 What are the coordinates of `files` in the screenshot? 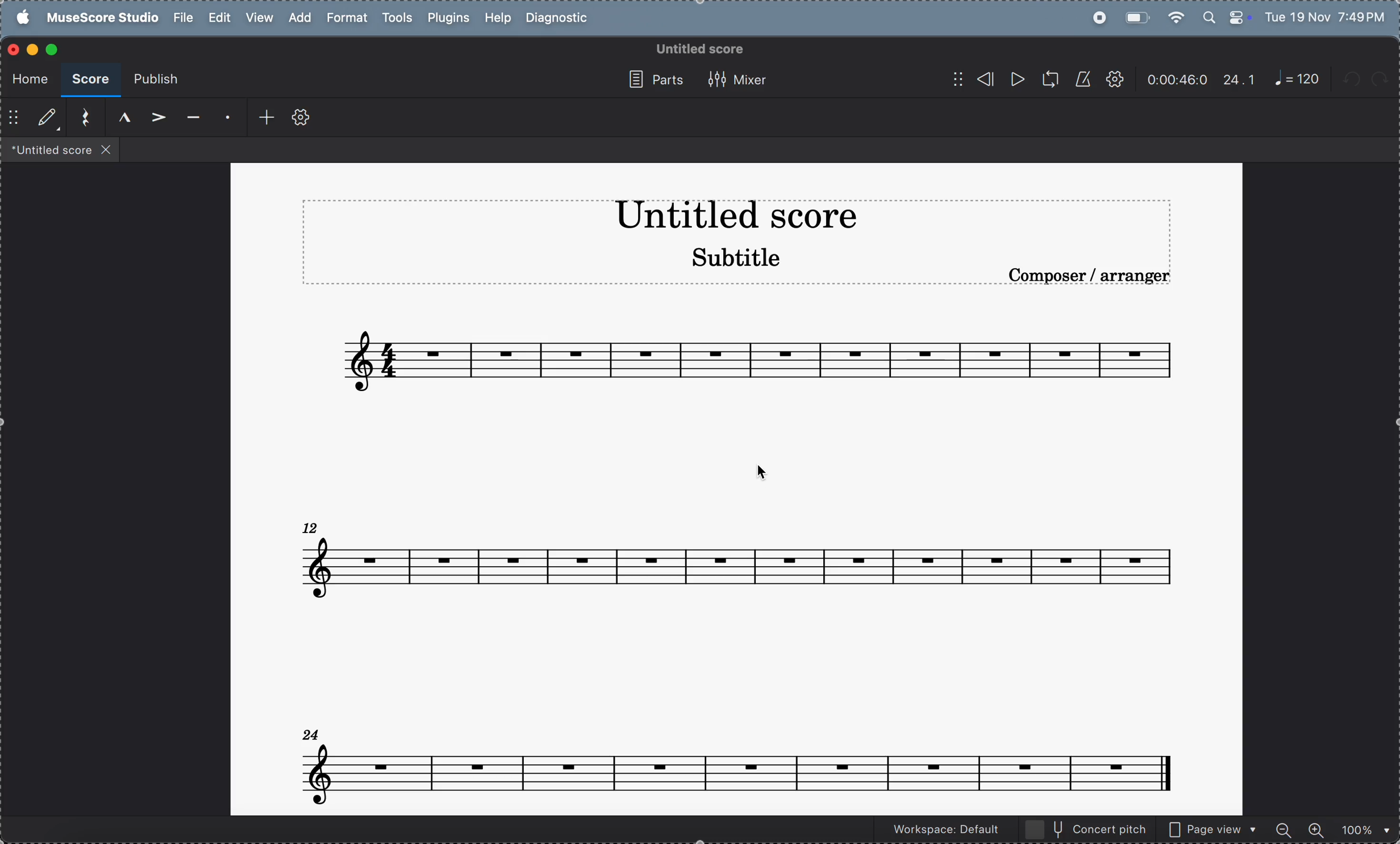 It's located at (61, 149).